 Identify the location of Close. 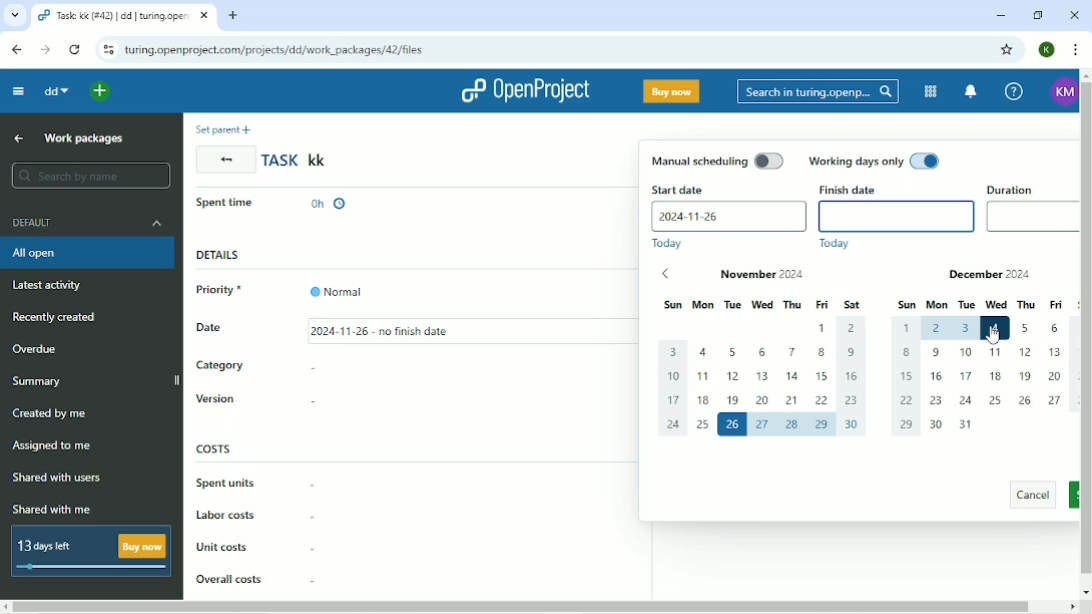
(1076, 15).